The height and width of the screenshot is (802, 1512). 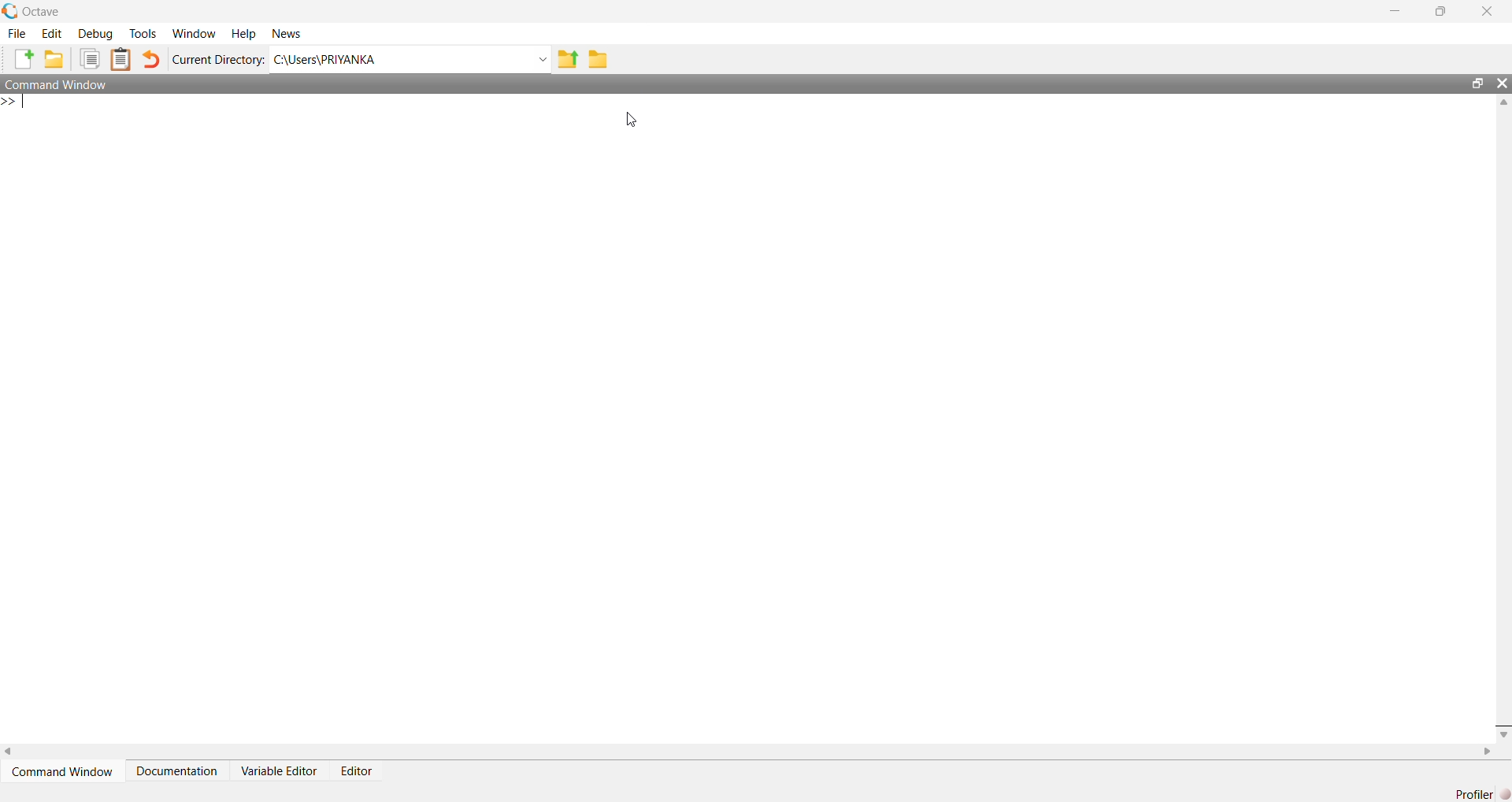 What do you see at coordinates (1485, 751) in the screenshot?
I see `Right Scroll` at bounding box center [1485, 751].